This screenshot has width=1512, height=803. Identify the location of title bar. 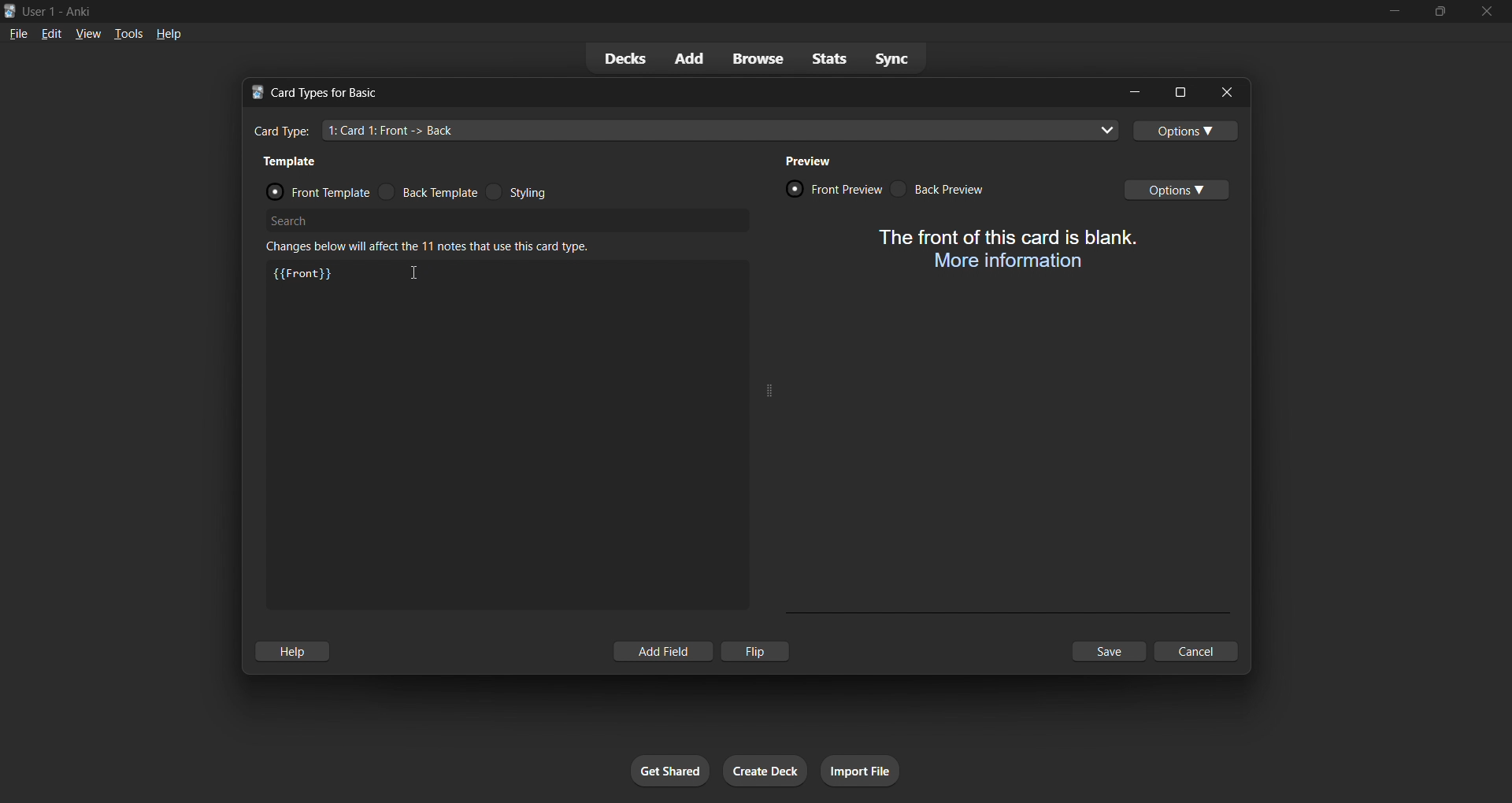
(661, 10).